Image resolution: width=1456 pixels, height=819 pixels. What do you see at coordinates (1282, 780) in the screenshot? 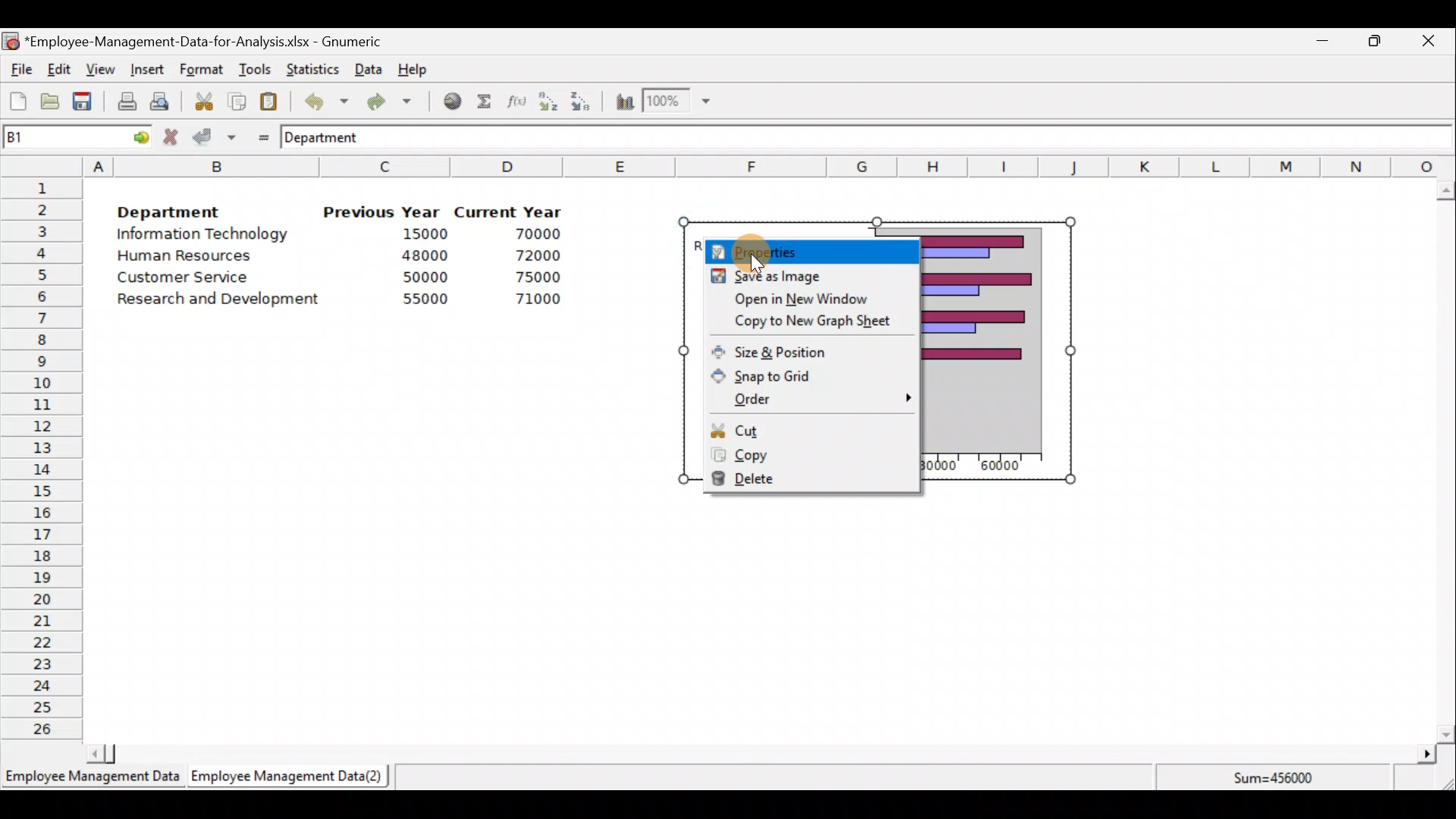
I see `Sum=456000` at bounding box center [1282, 780].